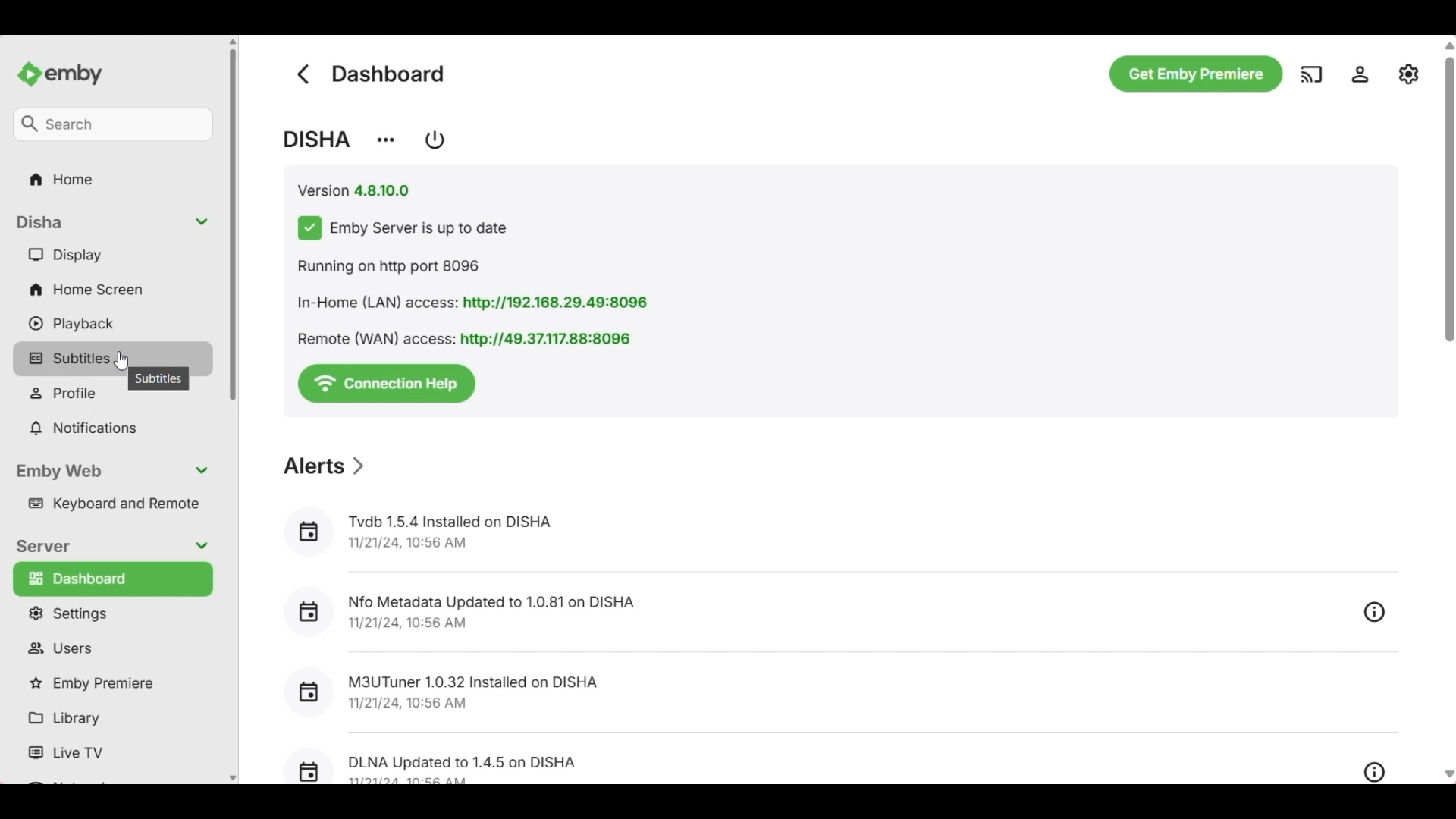 The height and width of the screenshot is (819, 1456). What do you see at coordinates (116, 472) in the screenshot?
I see `Collapse Emby web` at bounding box center [116, 472].